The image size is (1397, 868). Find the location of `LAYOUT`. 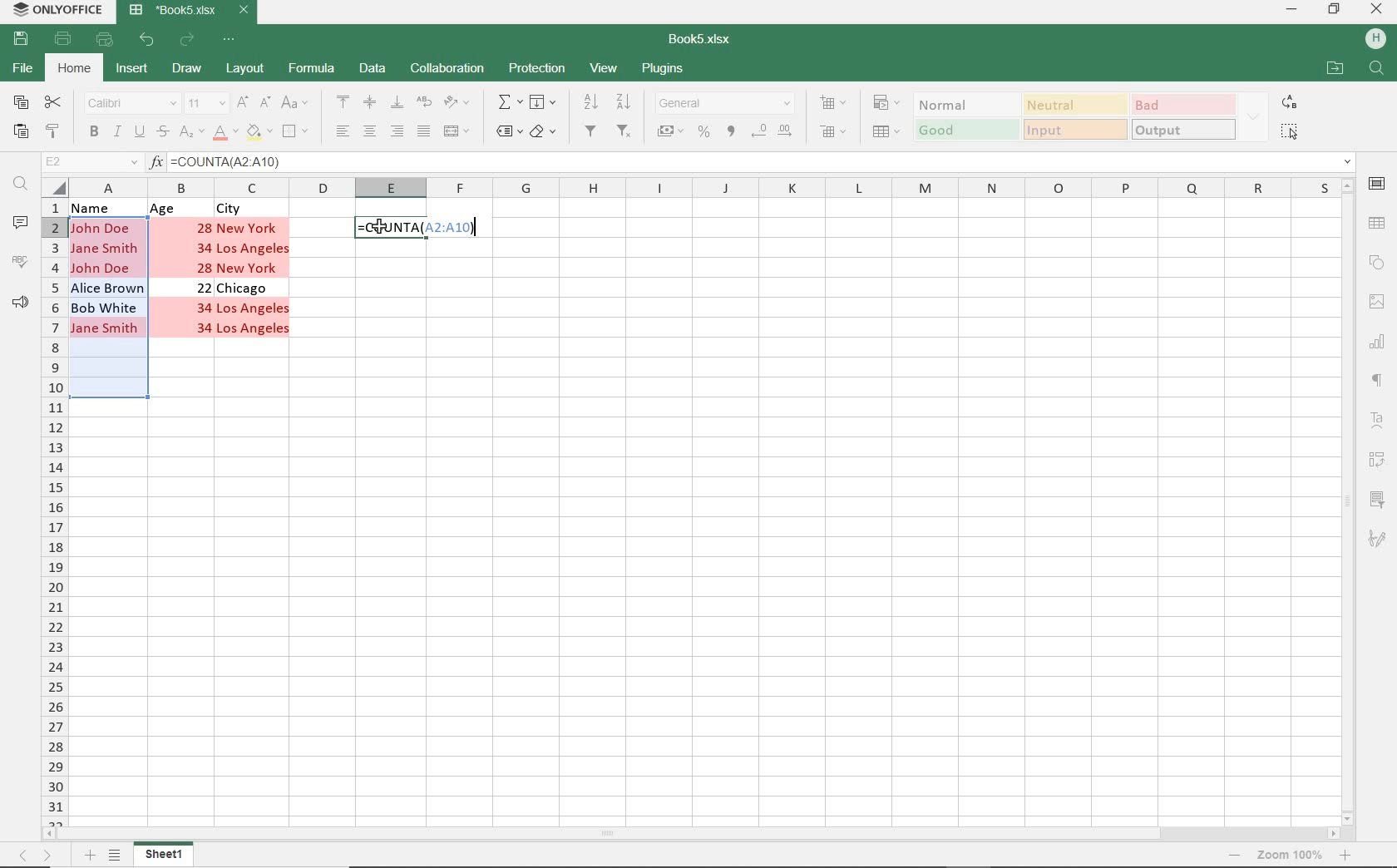

LAYOUT is located at coordinates (245, 70).